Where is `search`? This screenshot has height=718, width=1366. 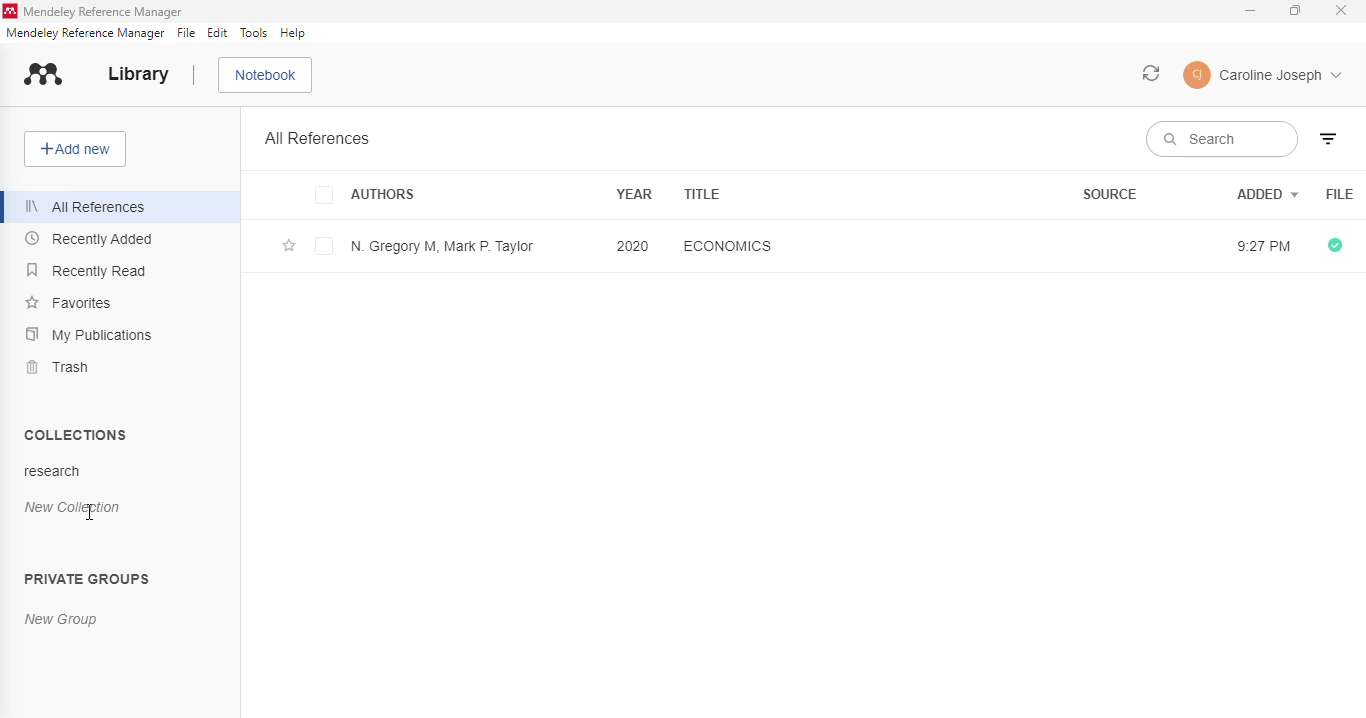
search is located at coordinates (1221, 139).